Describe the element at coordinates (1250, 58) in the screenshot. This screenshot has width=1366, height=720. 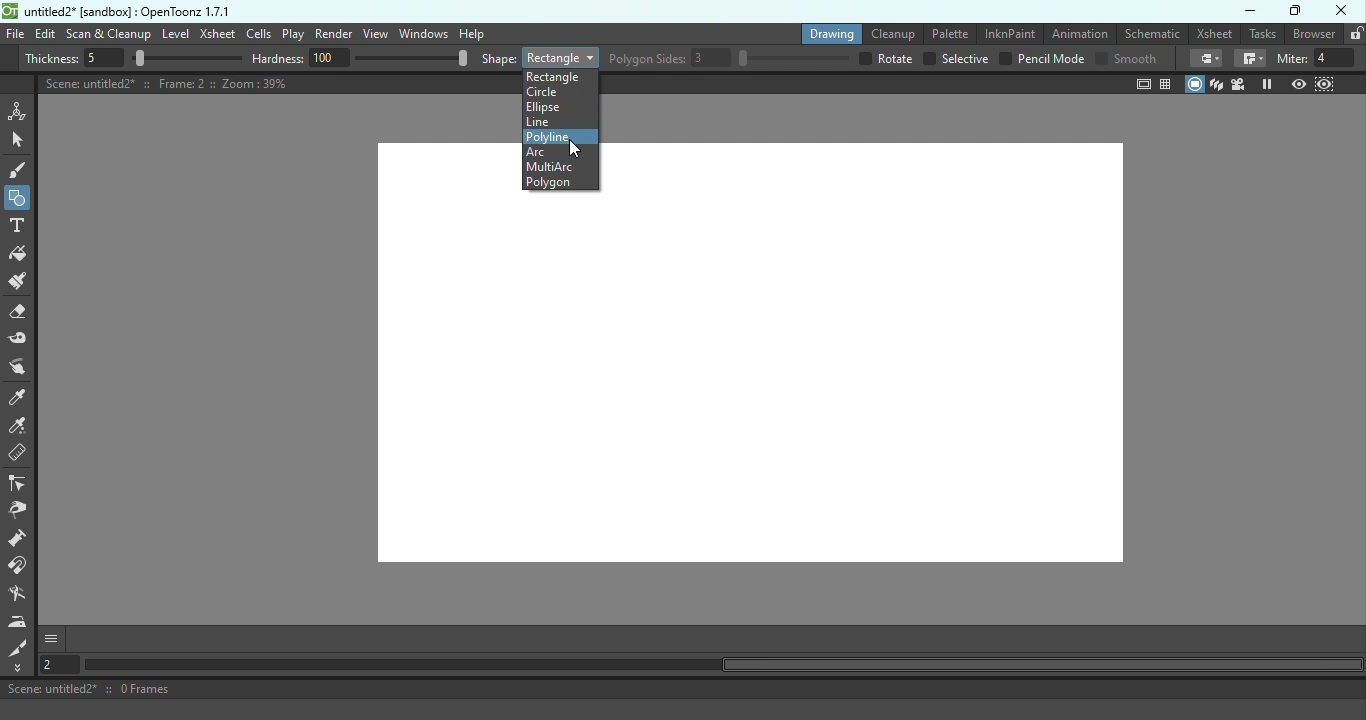
I see `fill tool` at that location.